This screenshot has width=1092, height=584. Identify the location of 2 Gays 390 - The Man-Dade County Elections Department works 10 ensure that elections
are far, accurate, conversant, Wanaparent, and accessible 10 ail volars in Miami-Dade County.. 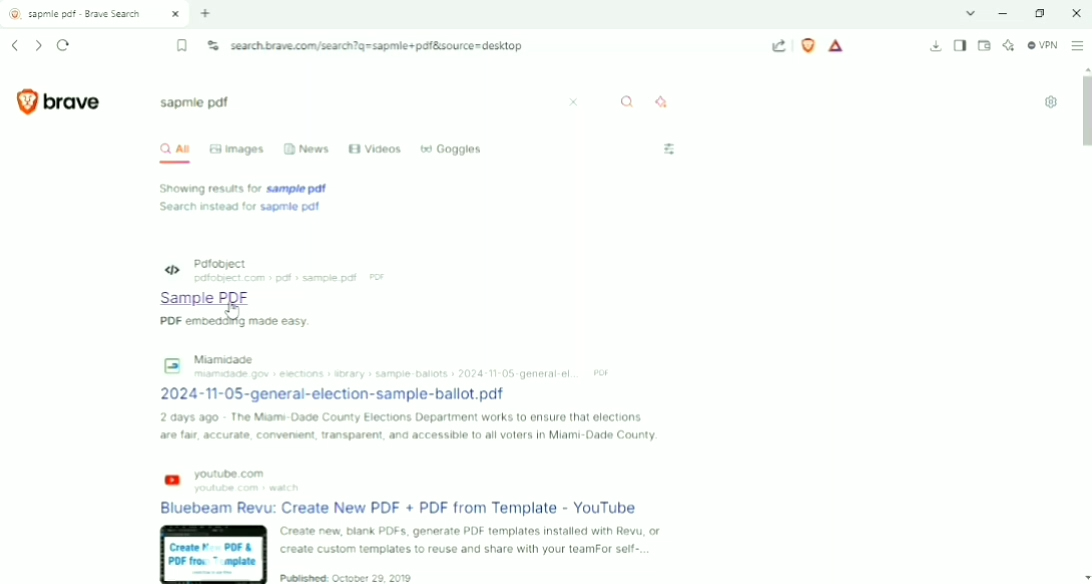
(410, 427).